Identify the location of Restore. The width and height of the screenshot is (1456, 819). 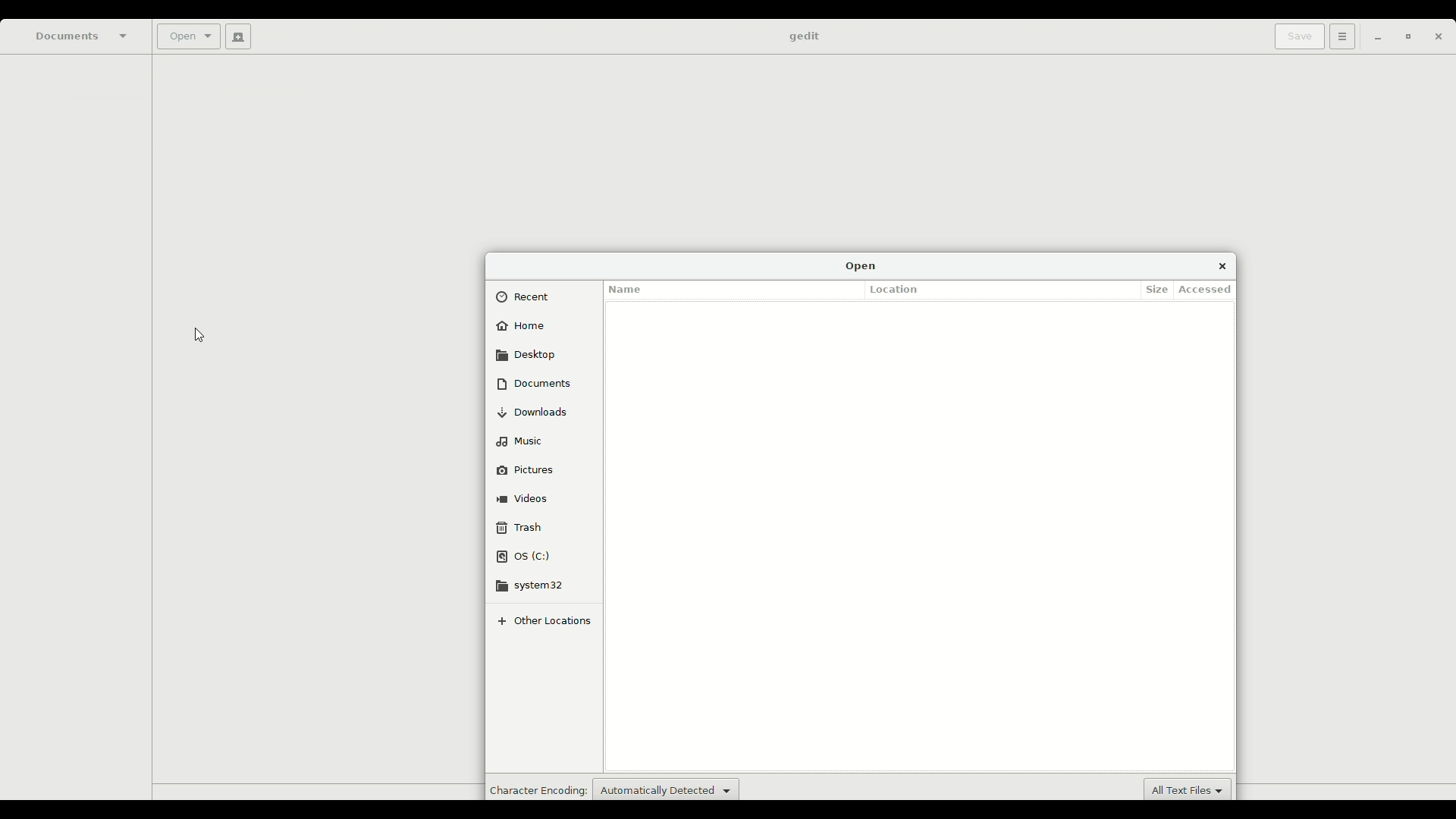
(1404, 38).